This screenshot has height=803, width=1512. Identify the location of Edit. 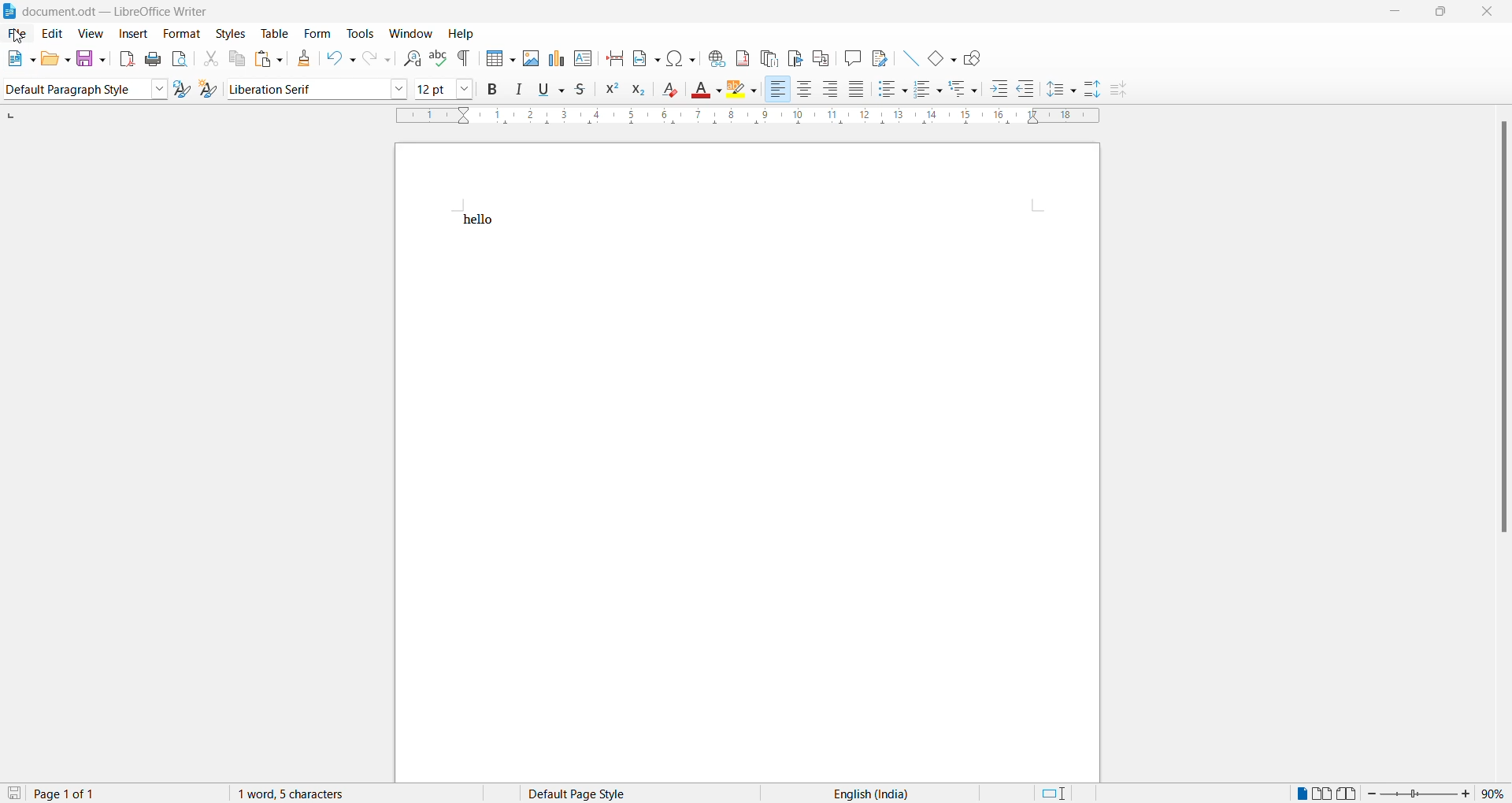
(54, 33).